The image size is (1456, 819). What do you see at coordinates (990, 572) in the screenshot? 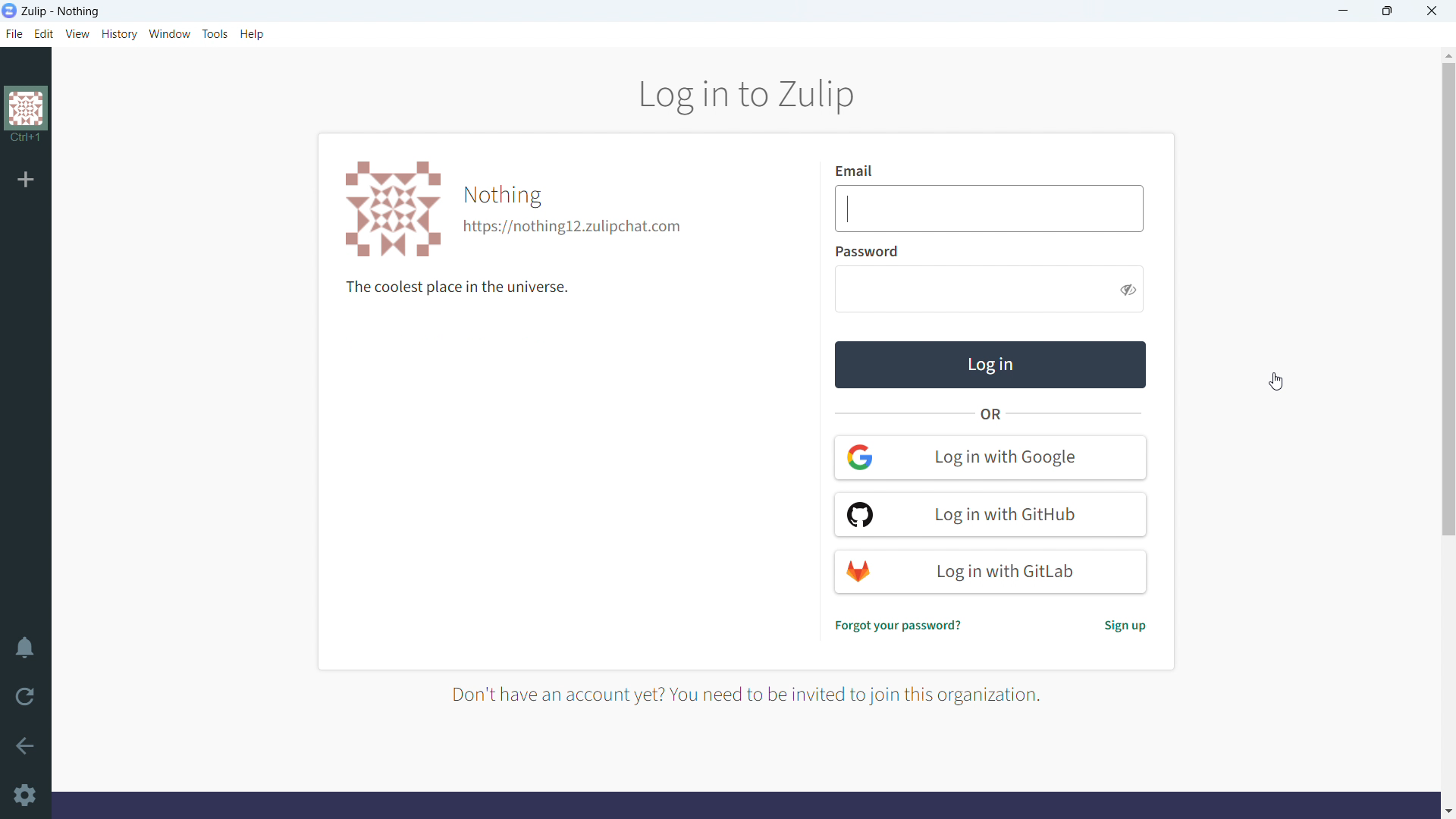
I see `login with gitlab` at bounding box center [990, 572].